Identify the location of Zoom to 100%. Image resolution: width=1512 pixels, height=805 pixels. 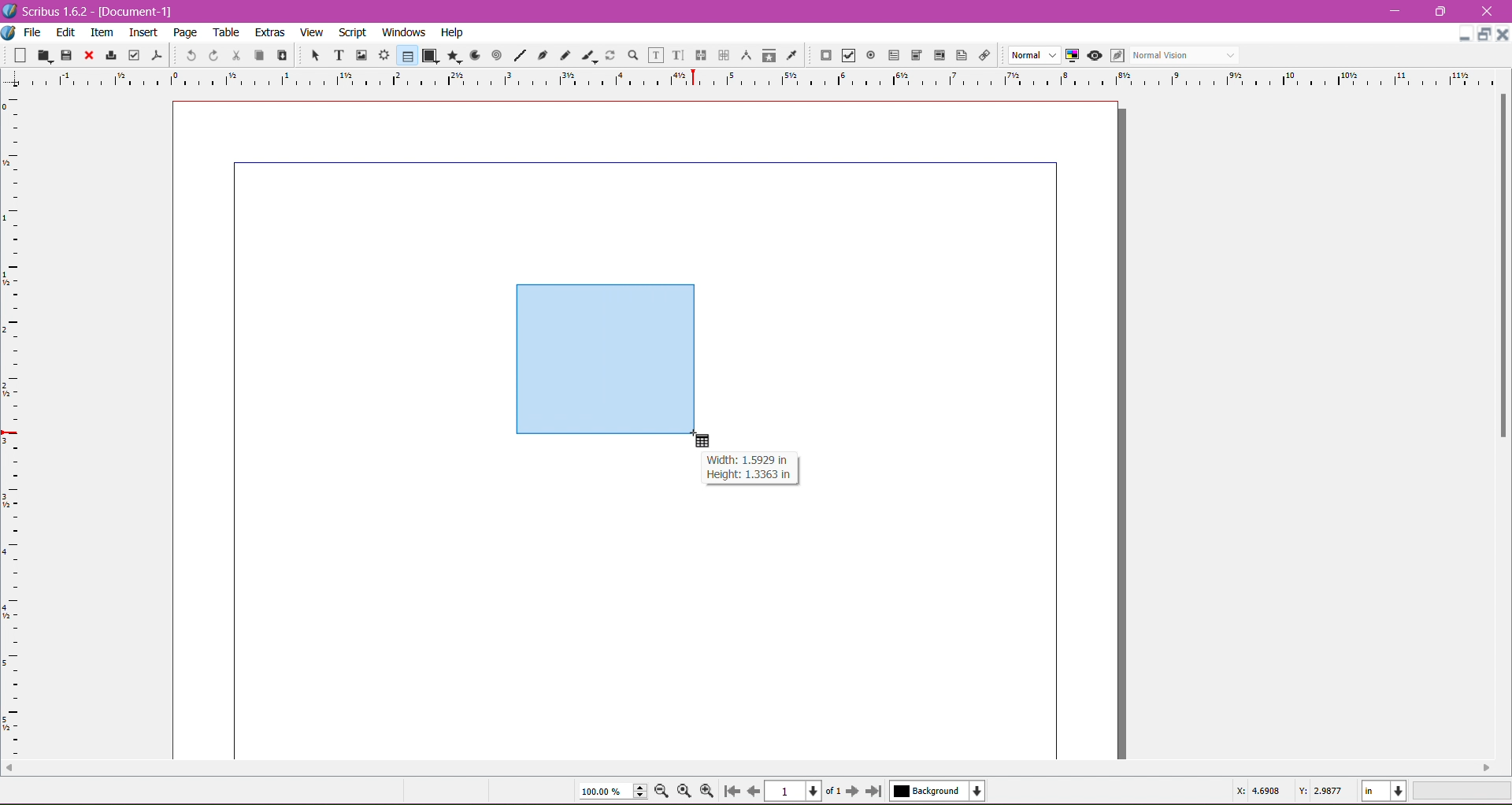
(686, 792).